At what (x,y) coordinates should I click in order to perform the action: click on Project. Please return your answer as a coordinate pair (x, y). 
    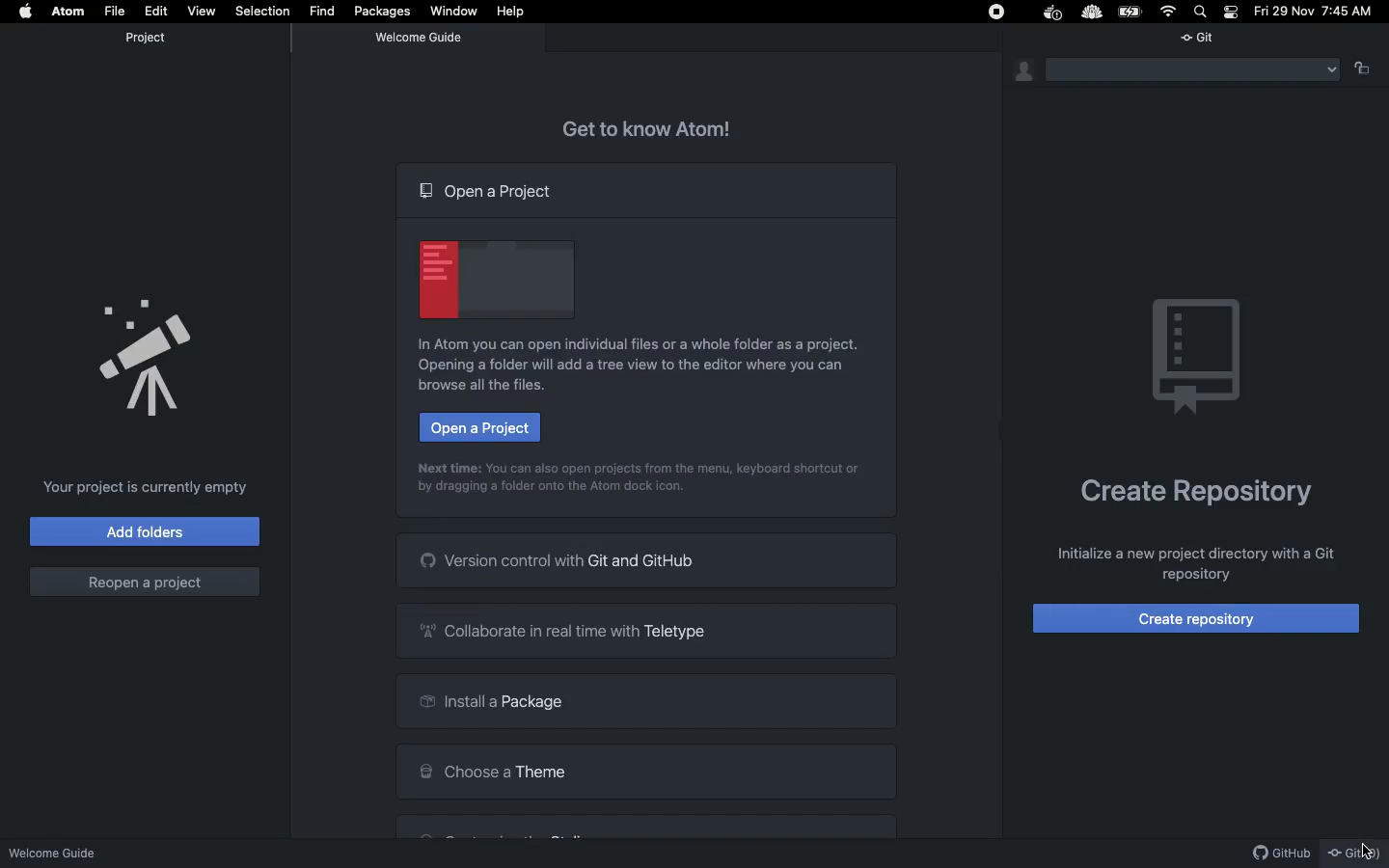
    Looking at the image, I should click on (146, 38).